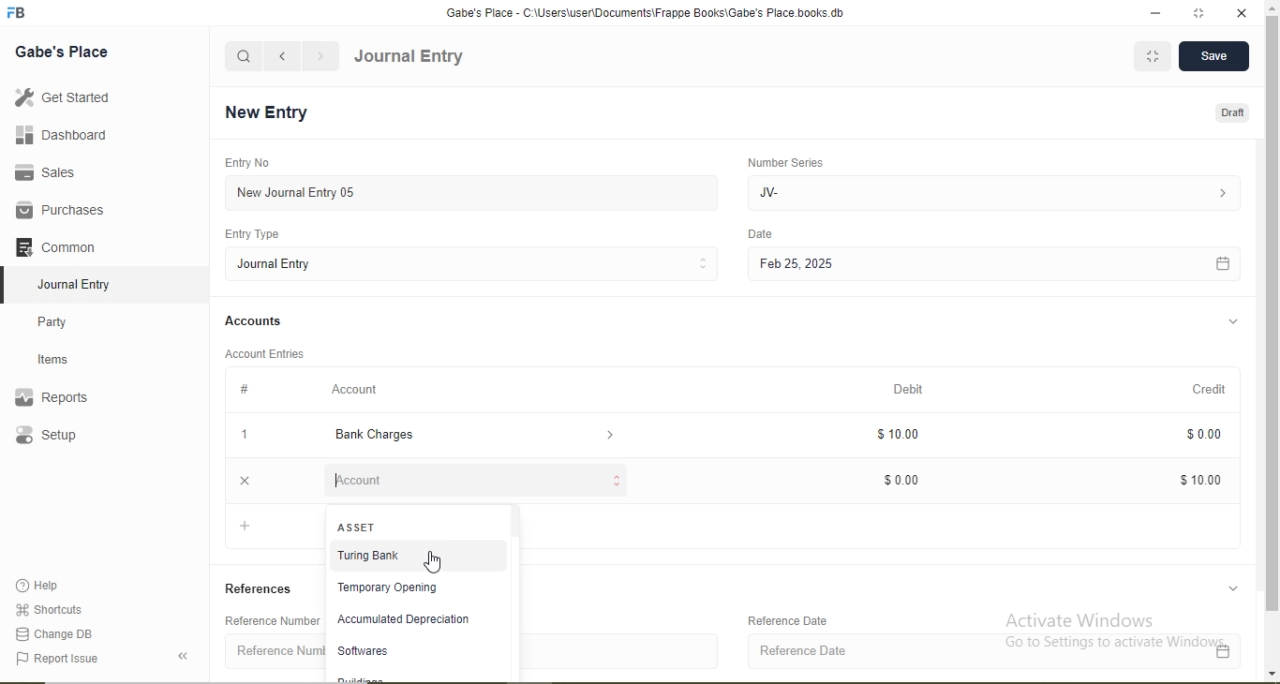 This screenshot has height=684, width=1280. What do you see at coordinates (1243, 13) in the screenshot?
I see `close` at bounding box center [1243, 13].